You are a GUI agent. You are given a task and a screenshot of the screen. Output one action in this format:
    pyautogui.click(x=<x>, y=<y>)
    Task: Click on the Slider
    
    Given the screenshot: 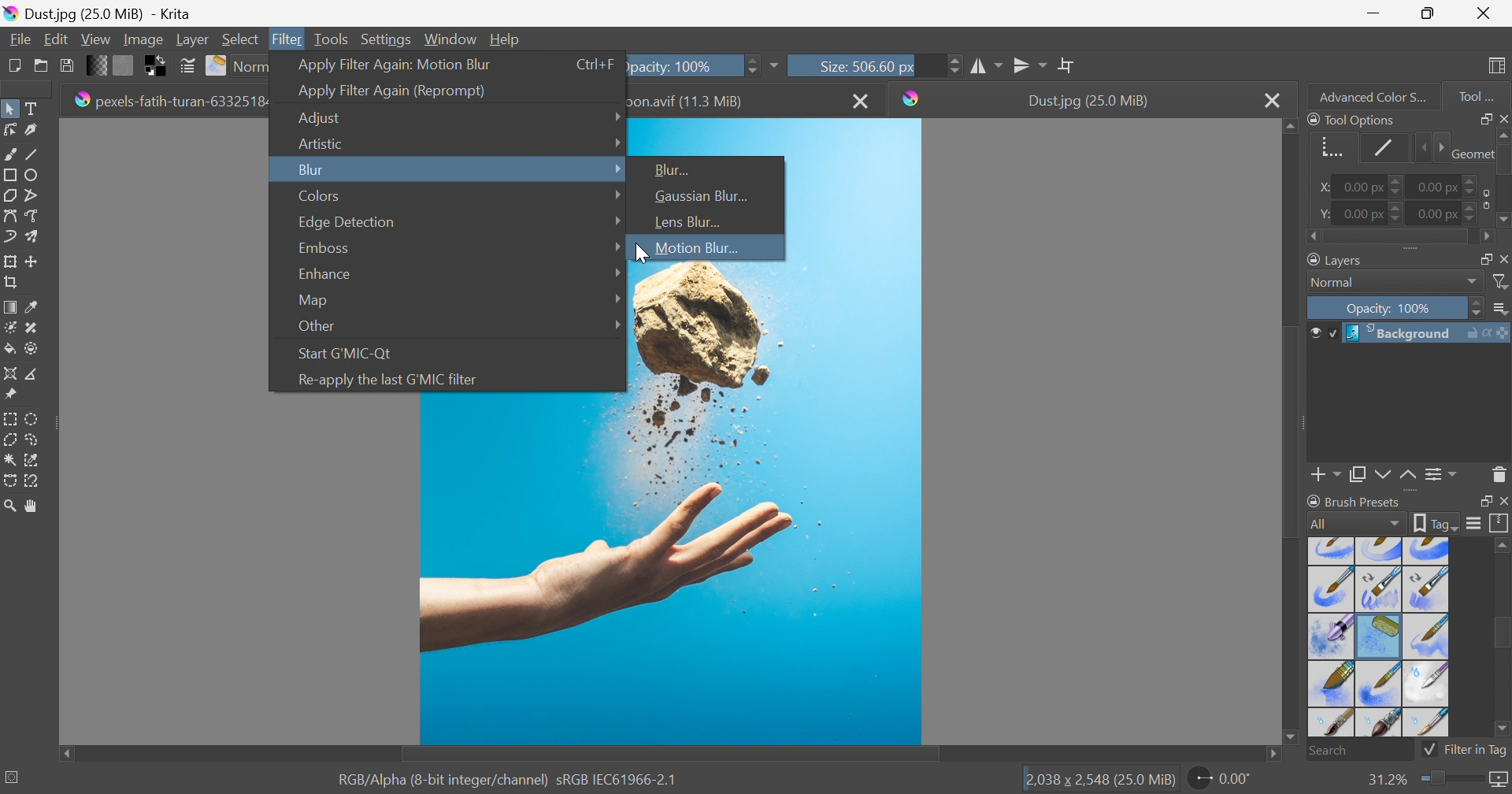 What is the action you would take?
    pyautogui.click(x=1449, y=779)
    